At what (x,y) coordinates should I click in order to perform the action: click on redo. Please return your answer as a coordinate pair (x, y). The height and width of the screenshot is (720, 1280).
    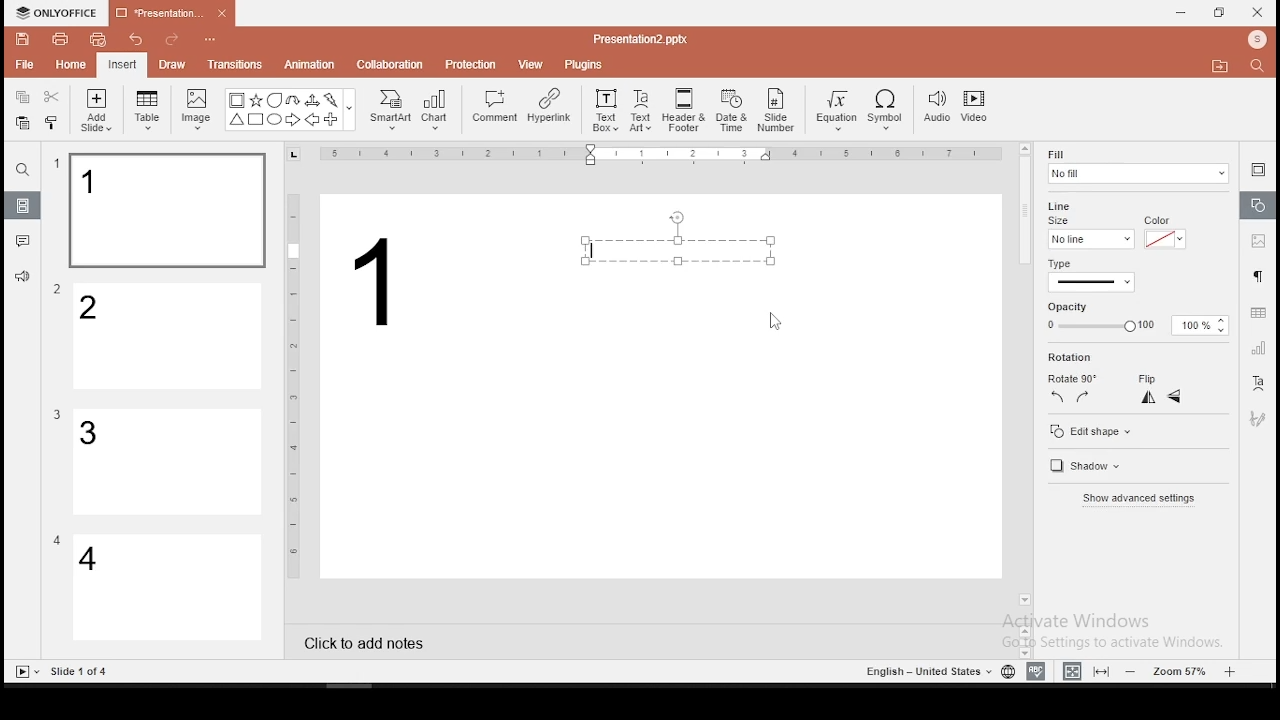
    Looking at the image, I should click on (172, 42).